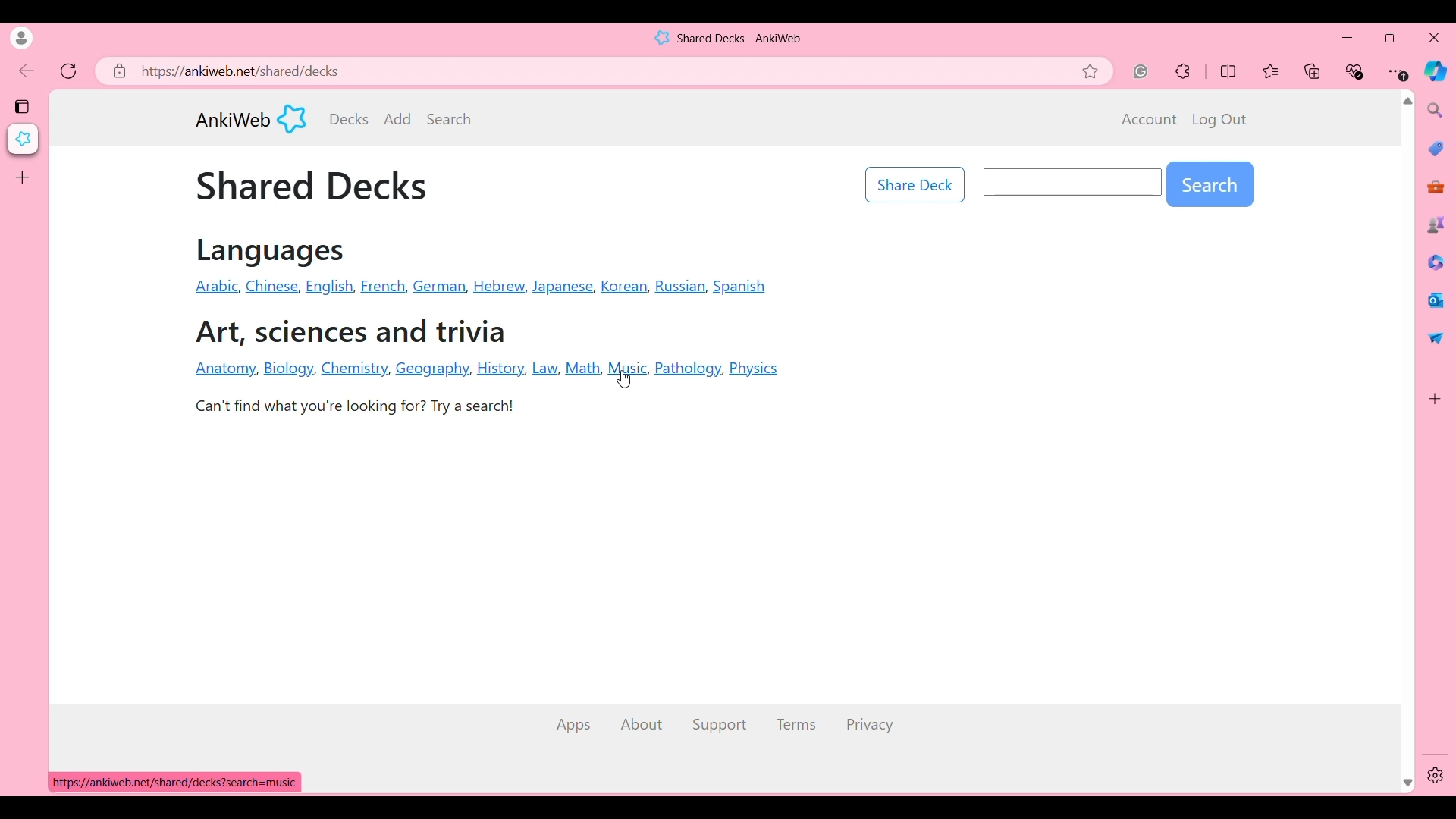 This screenshot has height=819, width=1456. Describe the element at coordinates (1436, 224) in the screenshot. I see `Games` at that location.